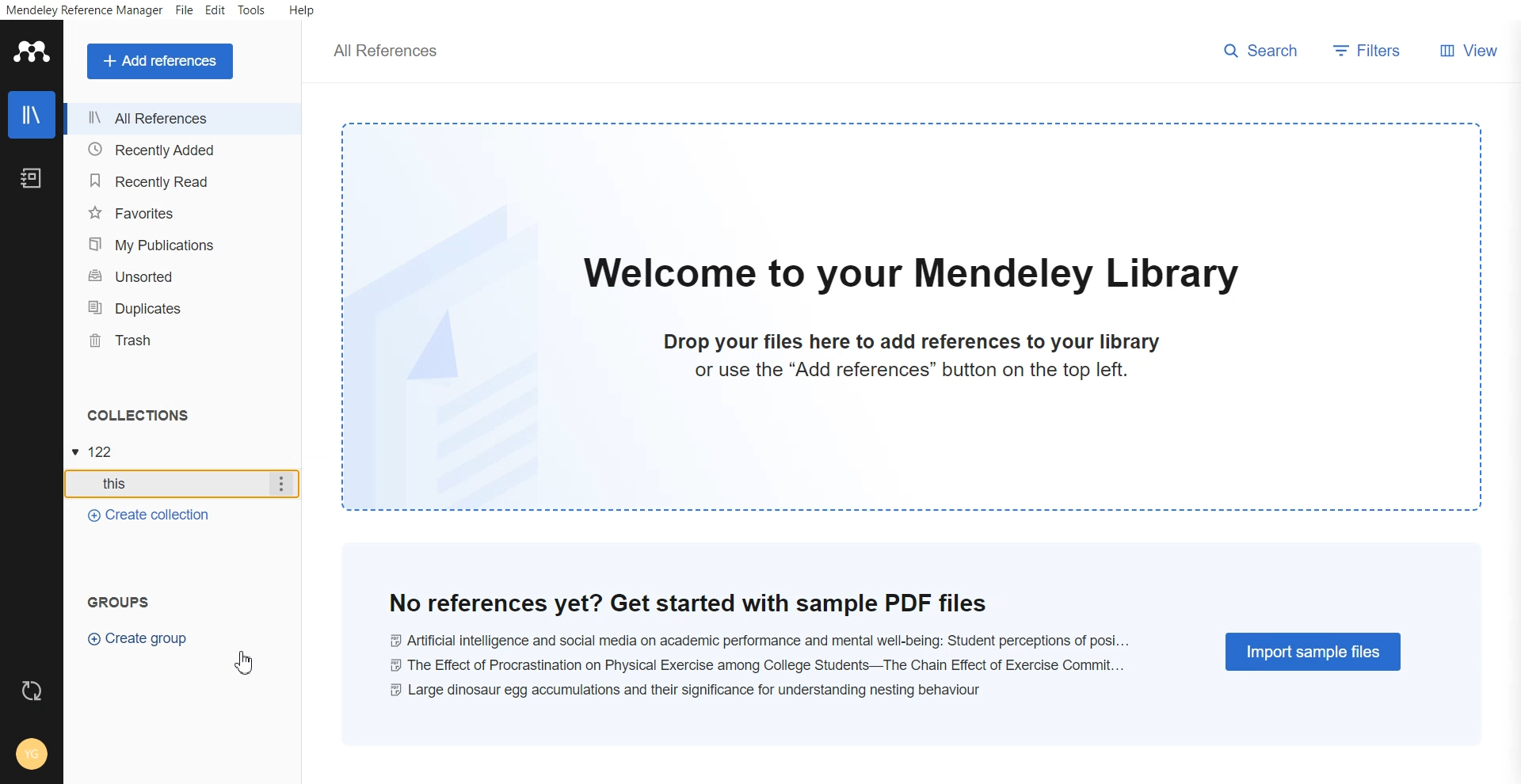 This screenshot has height=784, width=1521. What do you see at coordinates (302, 10) in the screenshot?
I see `Help` at bounding box center [302, 10].